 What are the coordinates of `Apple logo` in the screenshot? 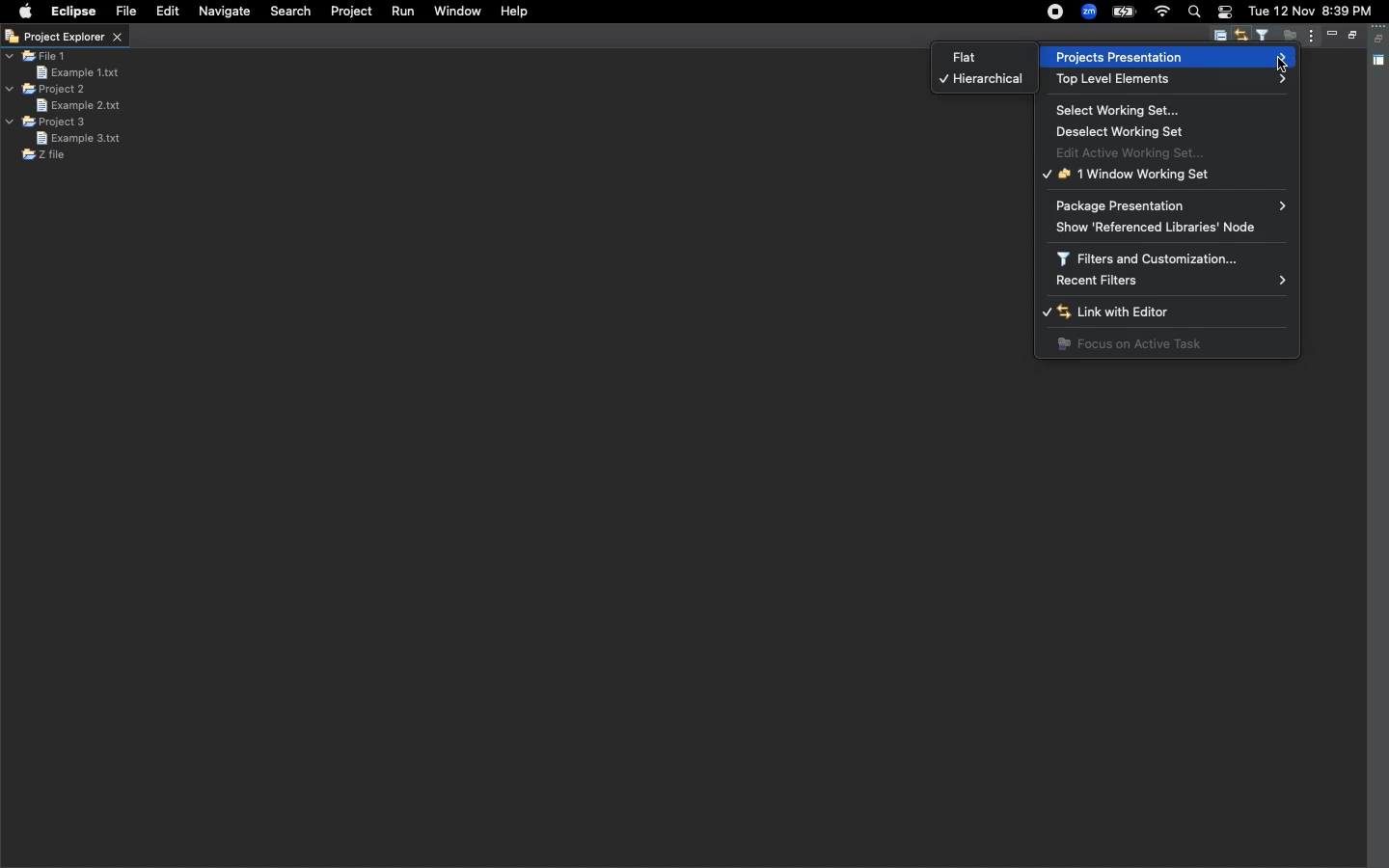 It's located at (26, 11).